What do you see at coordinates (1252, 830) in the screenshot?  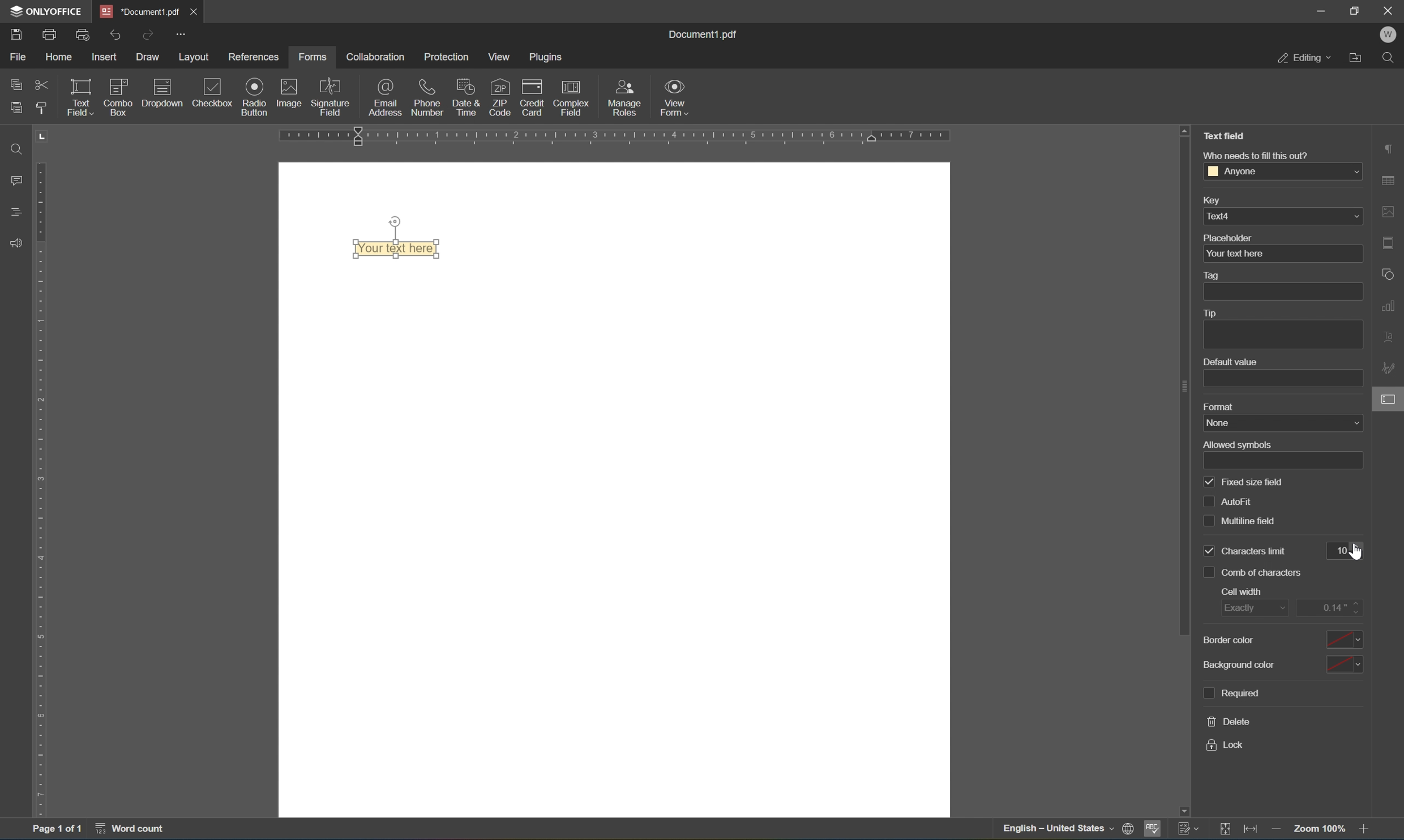 I see `Fit to page` at bounding box center [1252, 830].